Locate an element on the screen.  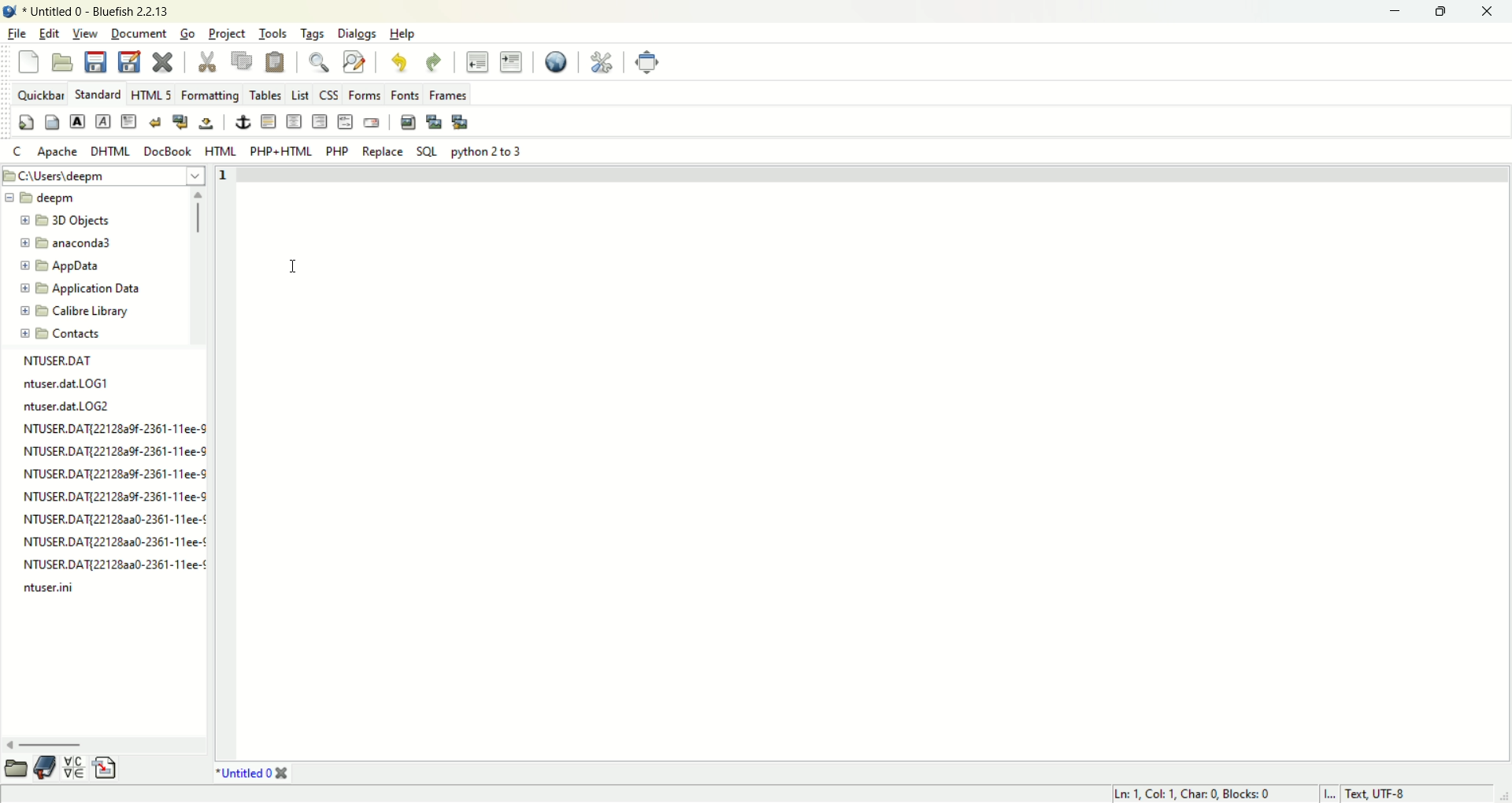
copy is located at coordinates (243, 61).